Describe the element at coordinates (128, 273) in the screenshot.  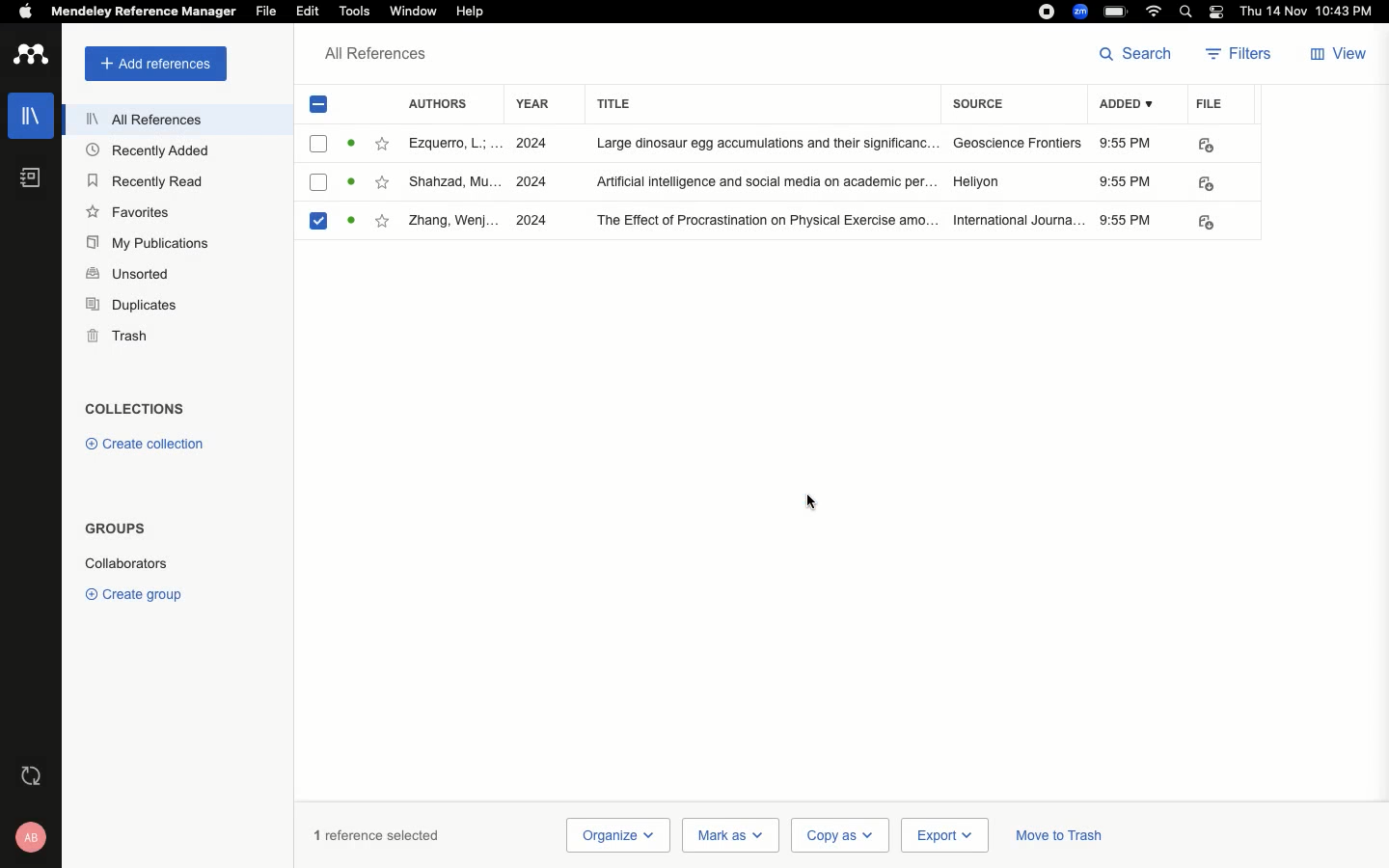
I see `Unsorted` at that location.